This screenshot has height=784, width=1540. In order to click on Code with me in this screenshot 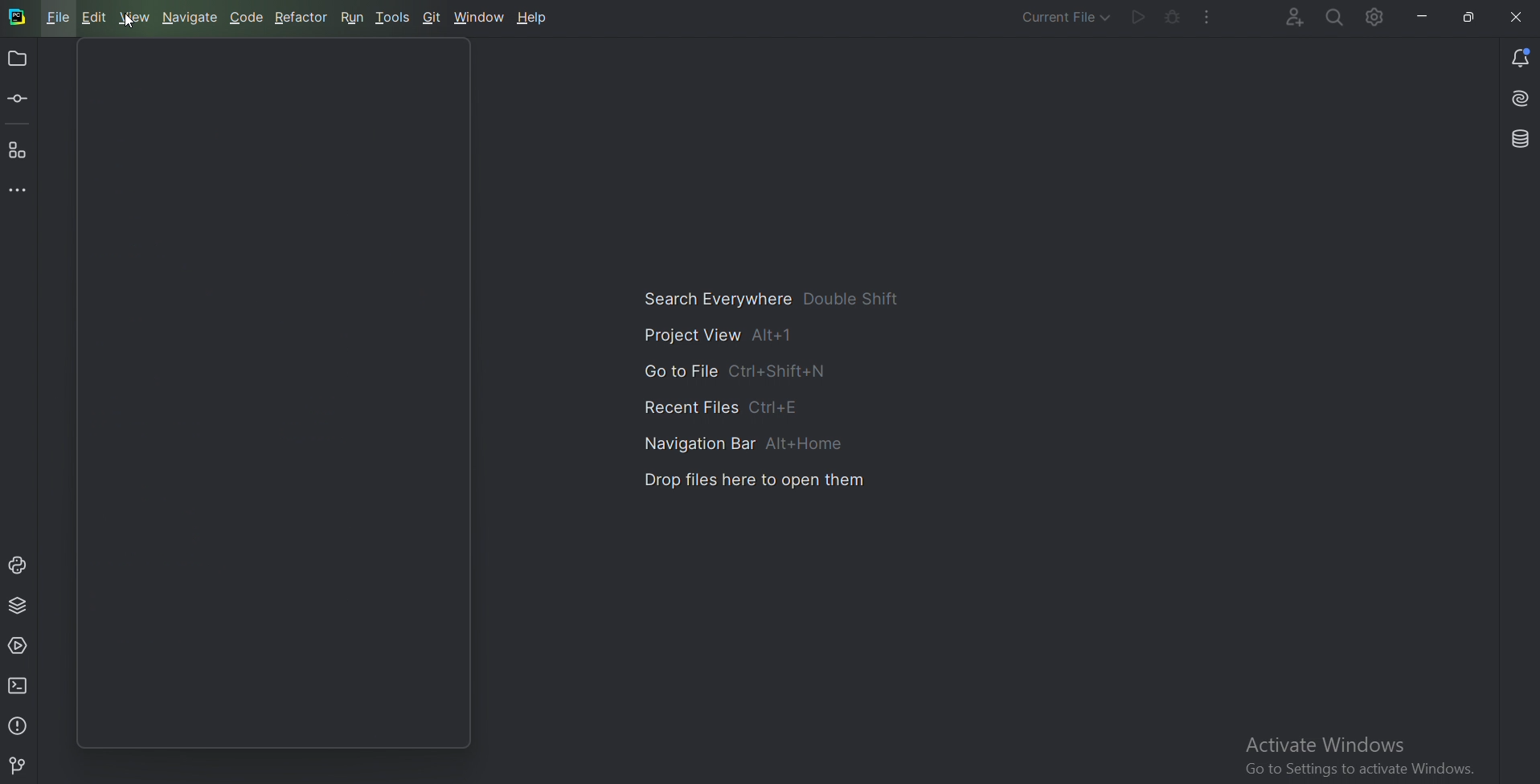, I will do `click(1283, 18)`.